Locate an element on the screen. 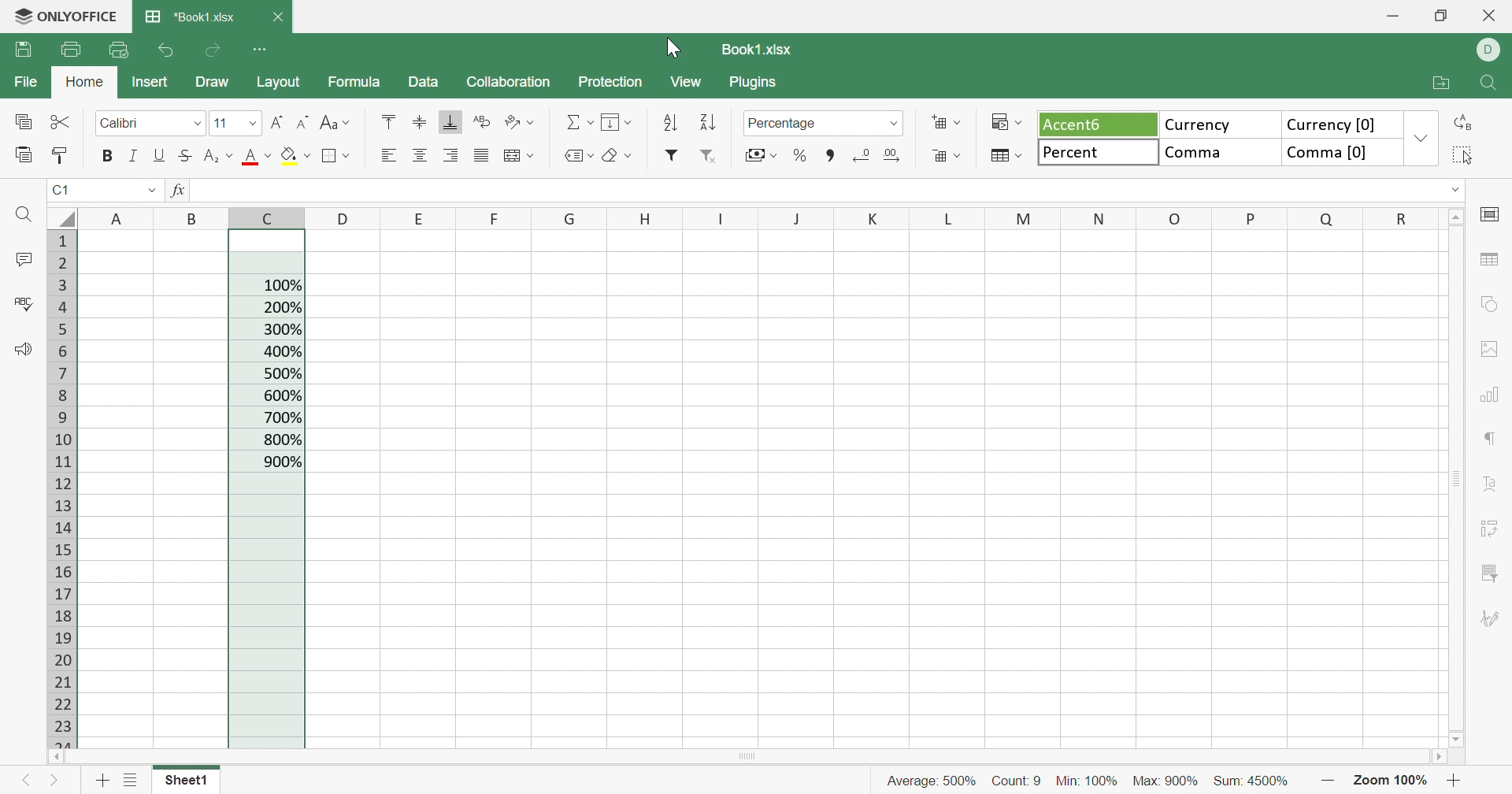  Drop Down is located at coordinates (254, 126).